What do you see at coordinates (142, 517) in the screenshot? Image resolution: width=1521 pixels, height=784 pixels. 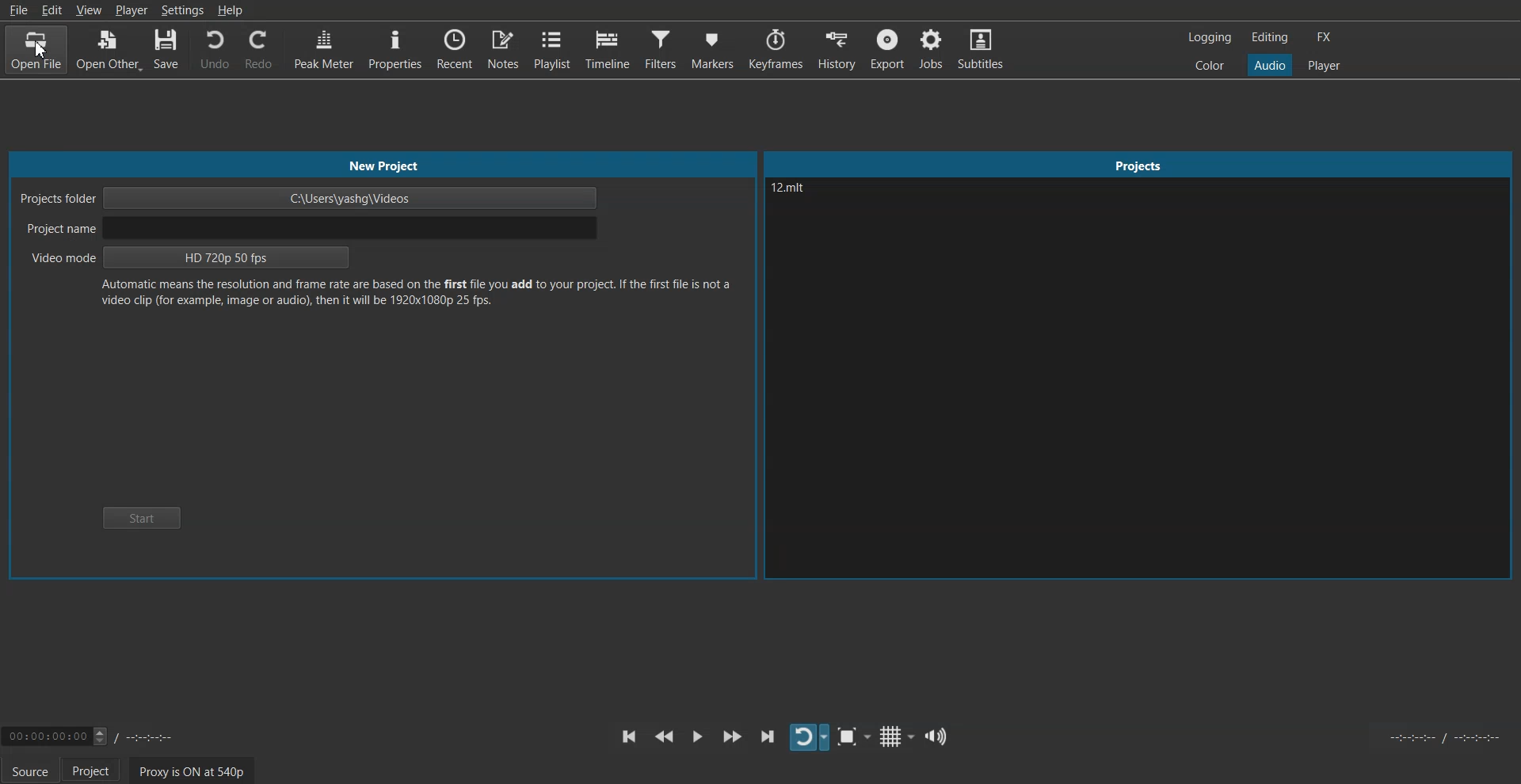 I see `Start` at bounding box center [142, 517].